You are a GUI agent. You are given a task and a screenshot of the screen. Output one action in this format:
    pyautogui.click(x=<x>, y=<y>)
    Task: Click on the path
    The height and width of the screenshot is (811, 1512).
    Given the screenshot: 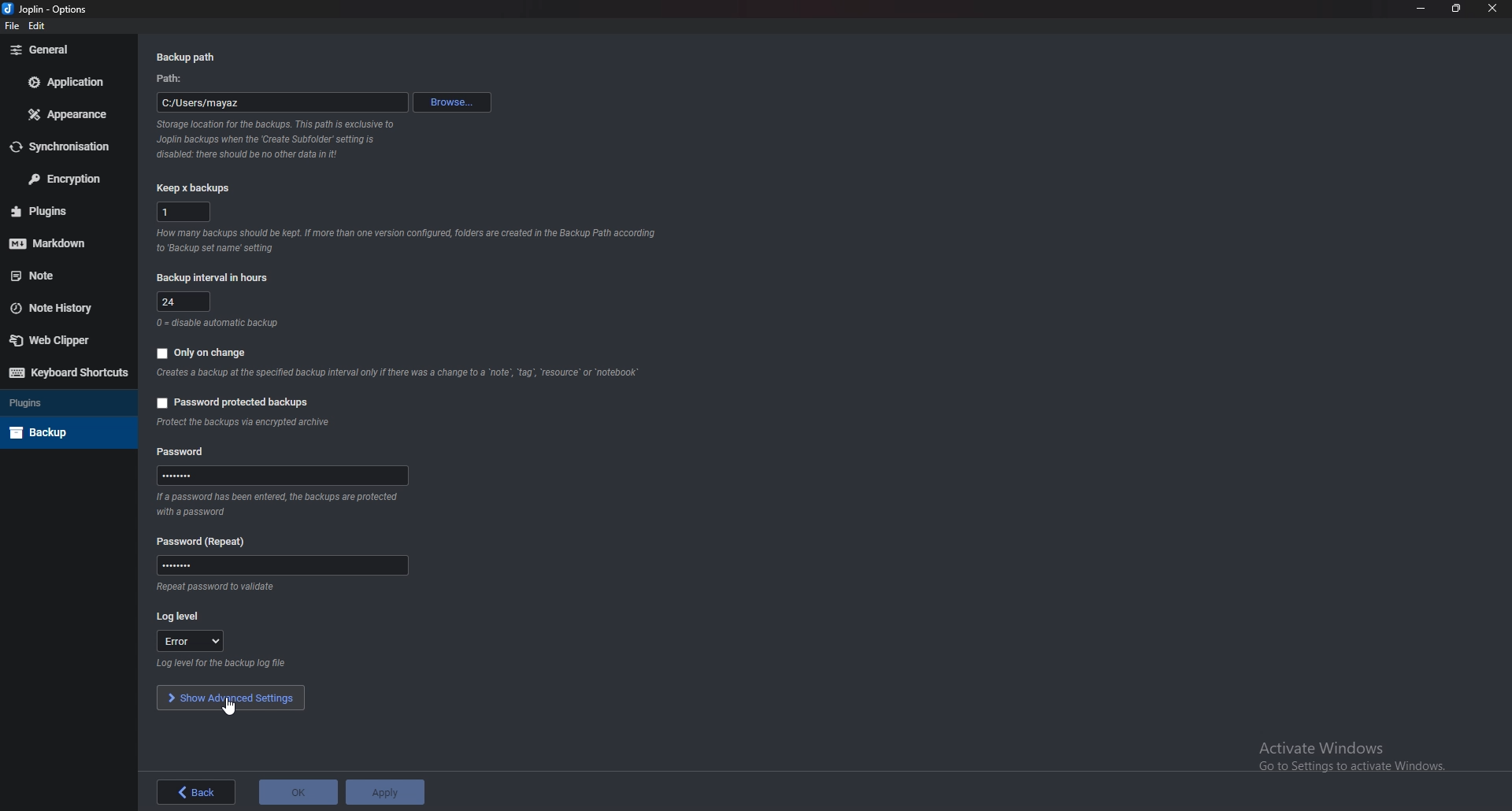 What is the action you would take?
    pyautogui.click(x=170, y=79)
    